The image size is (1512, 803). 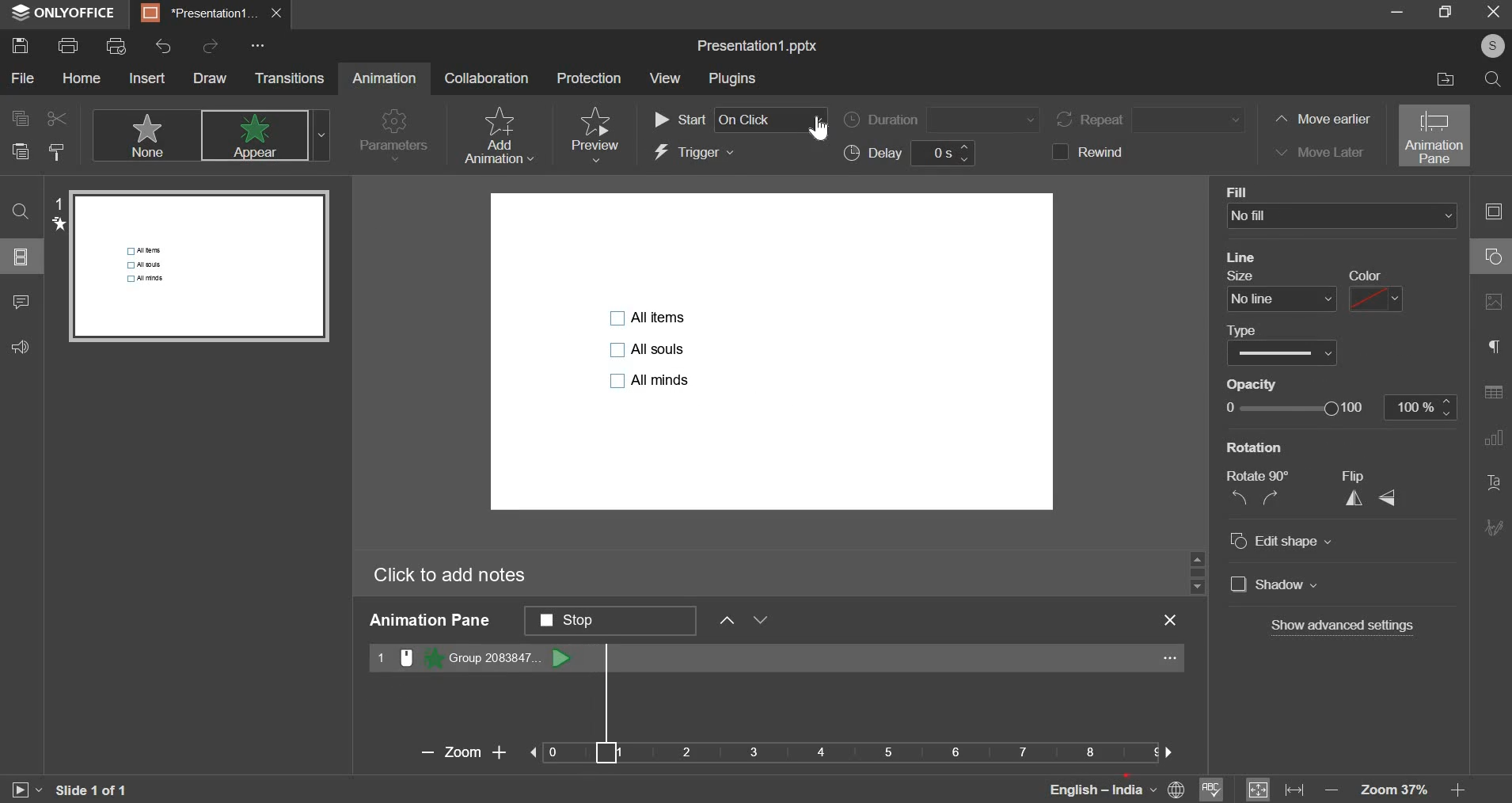 What do you see at coordinates (1487, 15) in the screenshot?
I see `exit` at bounding box center [1487, 15].